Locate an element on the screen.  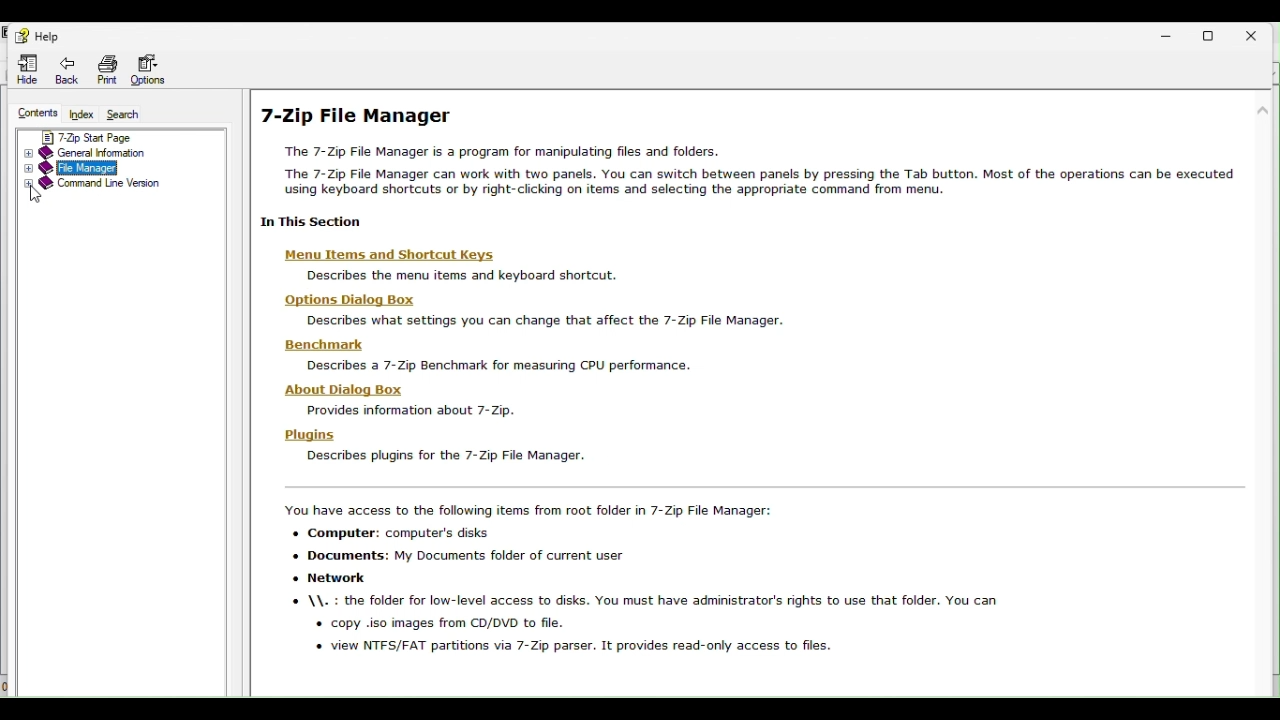
Options Dialog Box is located at coordinates (350, 300).